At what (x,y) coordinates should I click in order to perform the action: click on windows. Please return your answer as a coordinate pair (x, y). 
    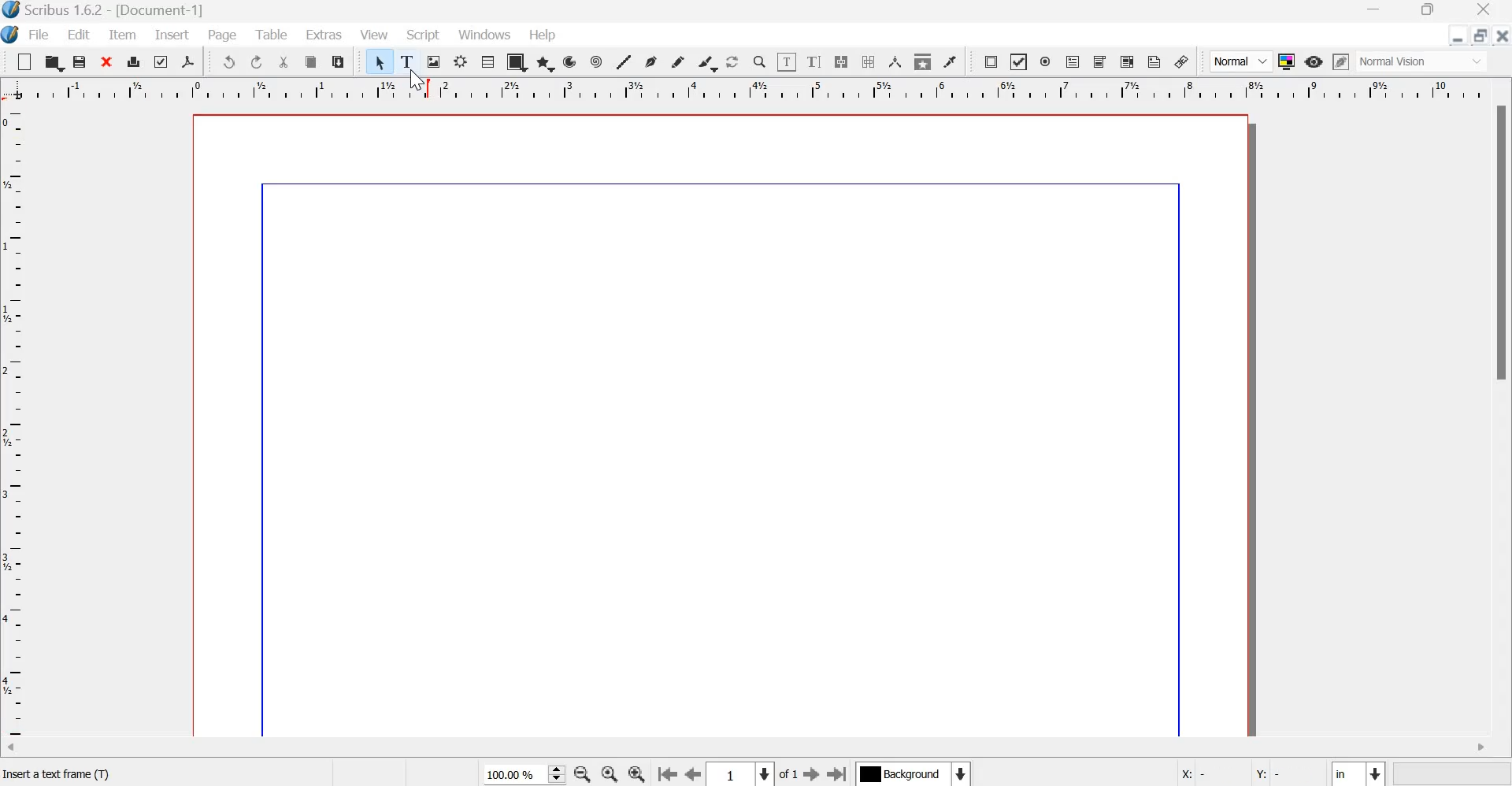
    Looking at the image, I should click on (487, 35).